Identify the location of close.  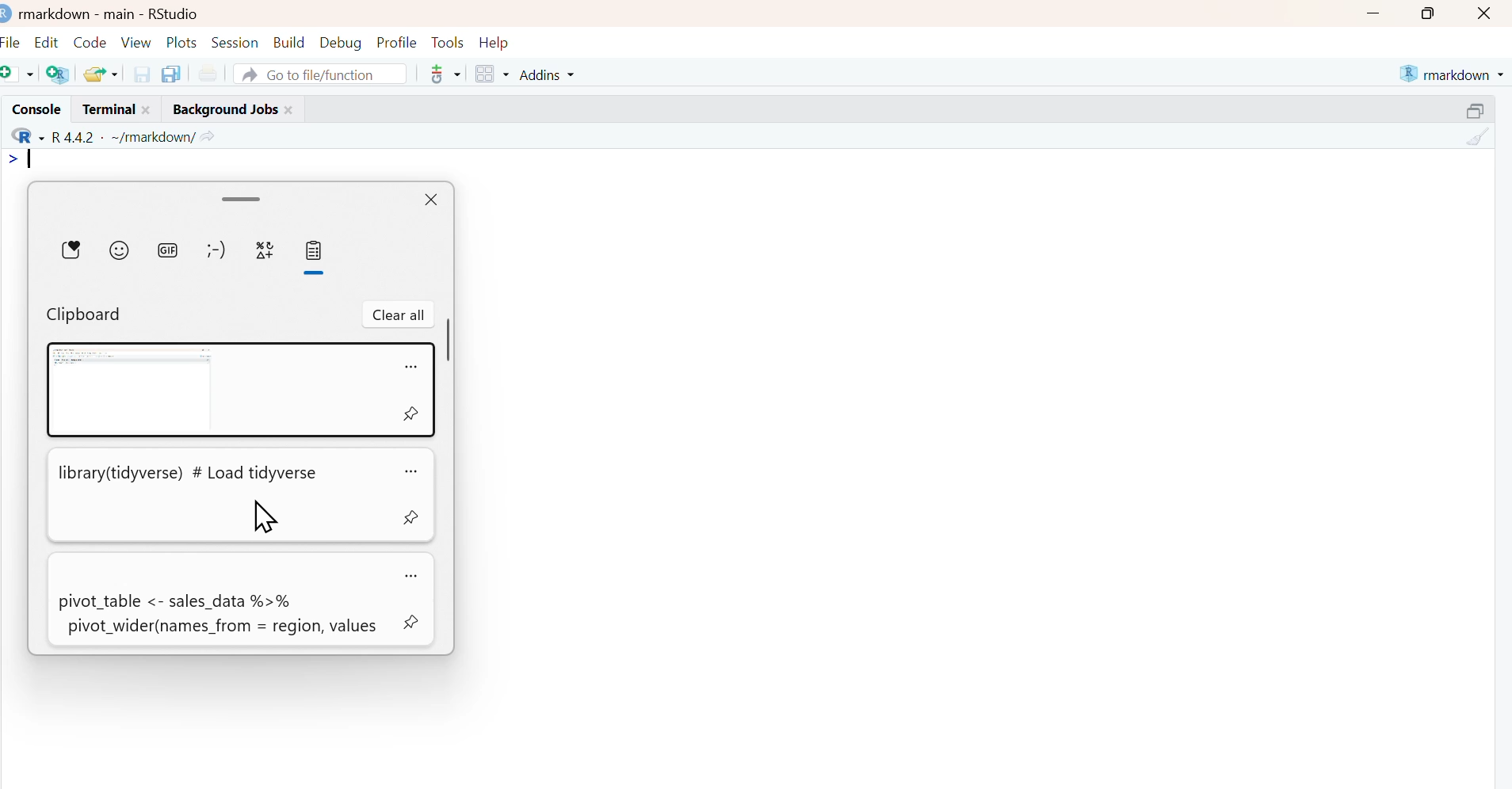
(1487, 13).